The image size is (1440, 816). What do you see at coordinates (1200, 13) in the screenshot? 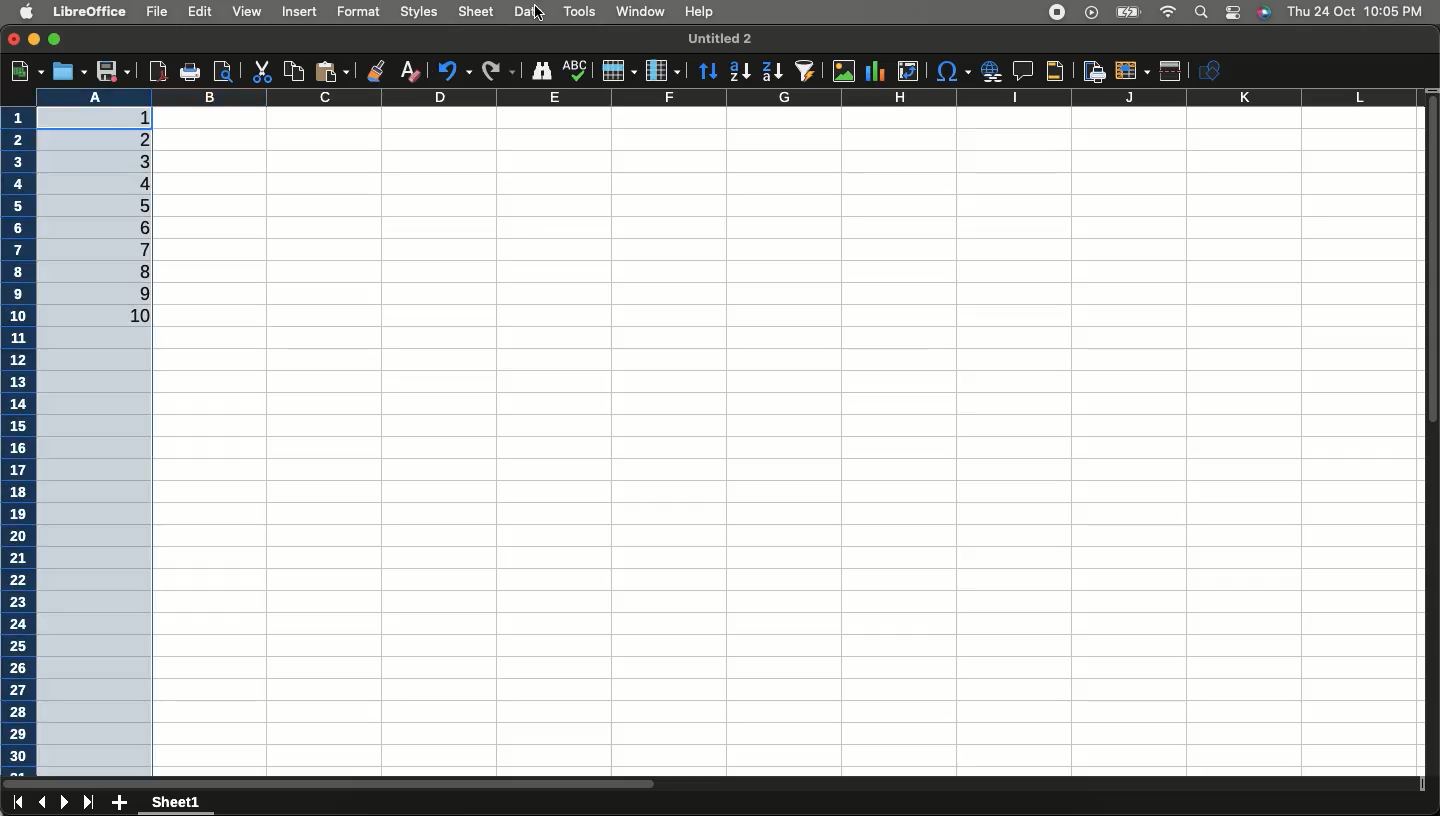
I see `Search` at bounding box center [1200, 13].